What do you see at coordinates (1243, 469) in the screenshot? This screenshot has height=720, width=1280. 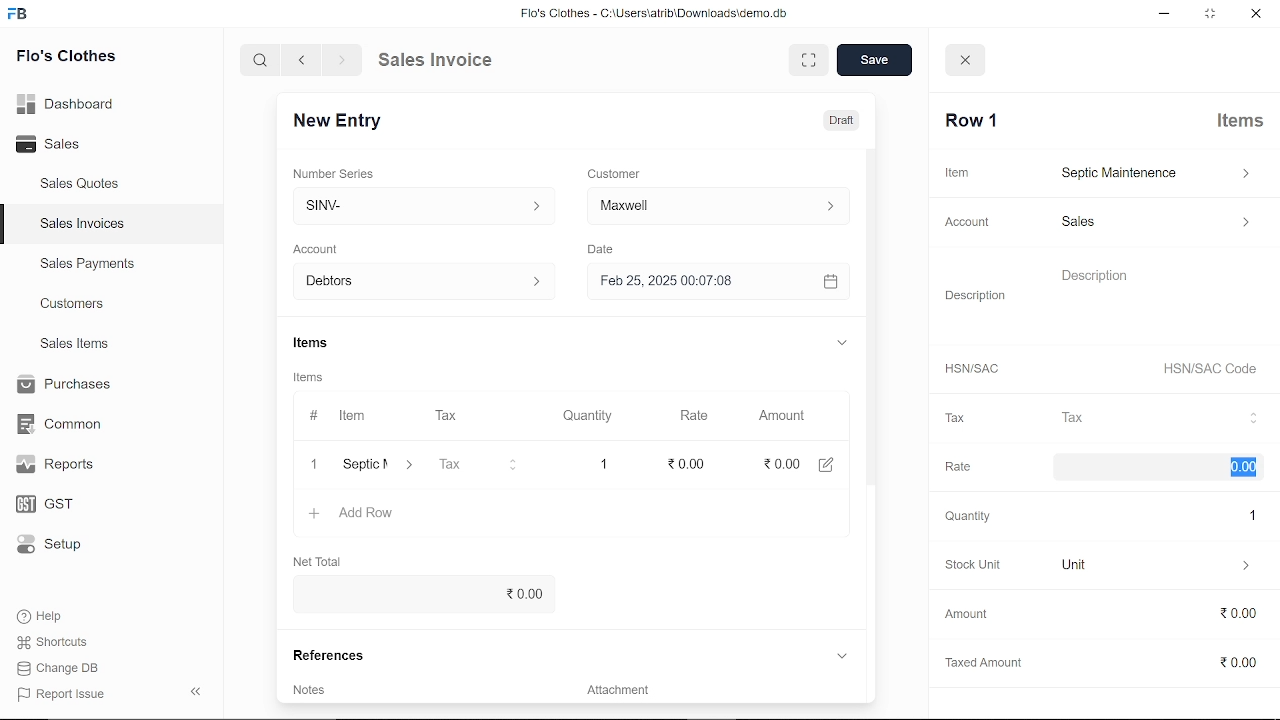 I see `cursor` at bounding box center [1243, 469].